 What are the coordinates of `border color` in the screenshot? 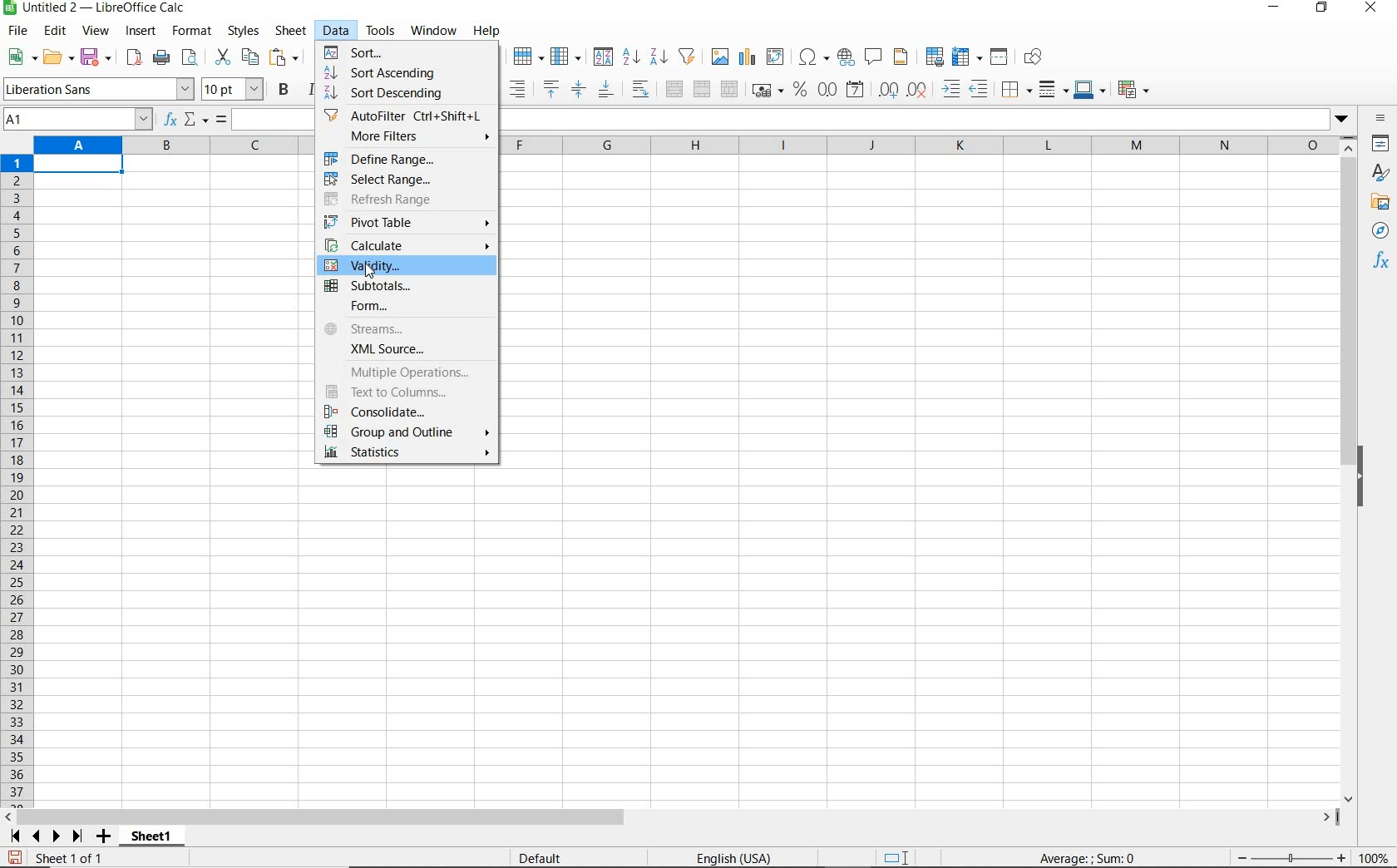 It's located at (1089, 89).